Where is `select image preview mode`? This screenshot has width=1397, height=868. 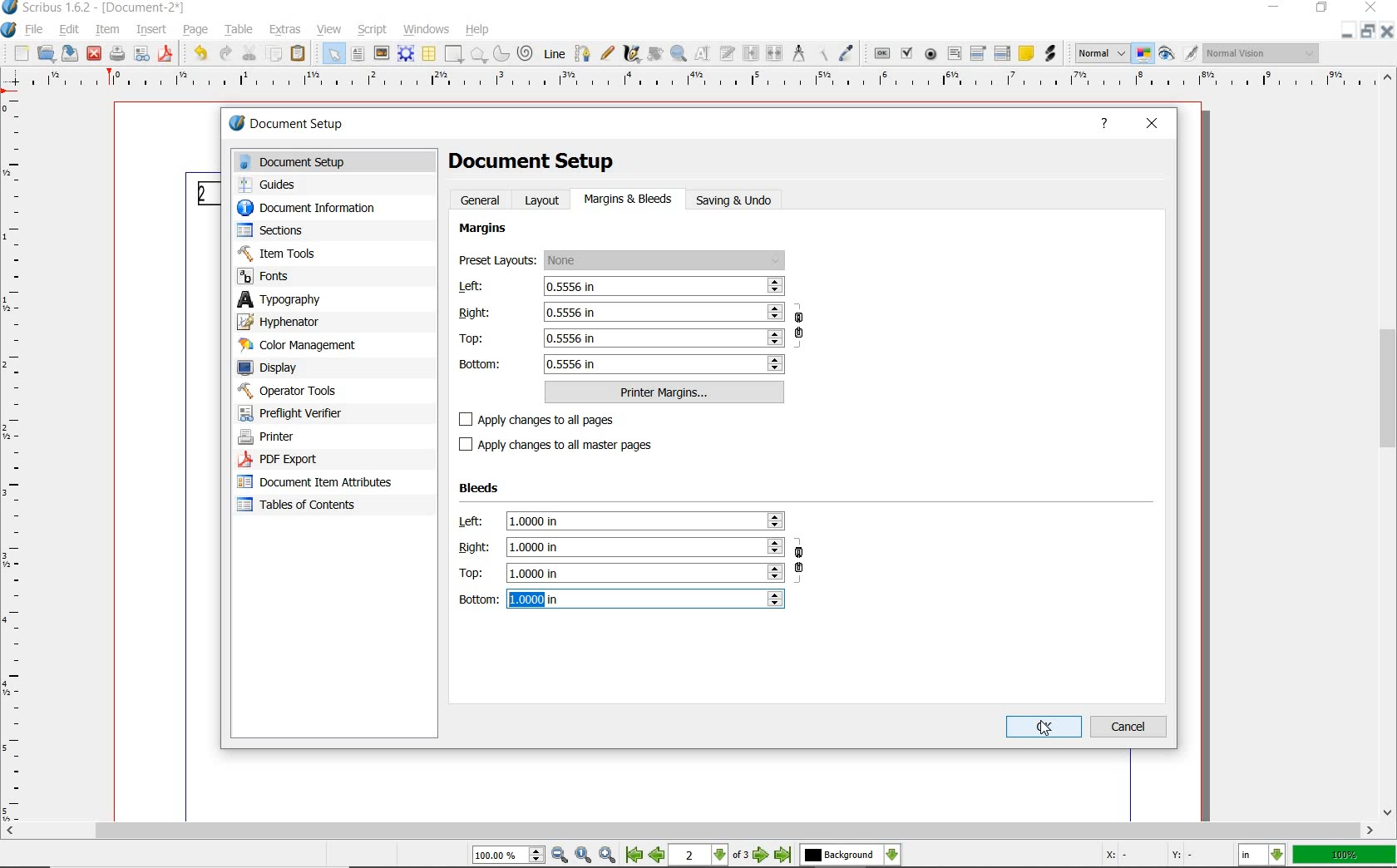 select image preview mode is located at coordinates (1101, 53).